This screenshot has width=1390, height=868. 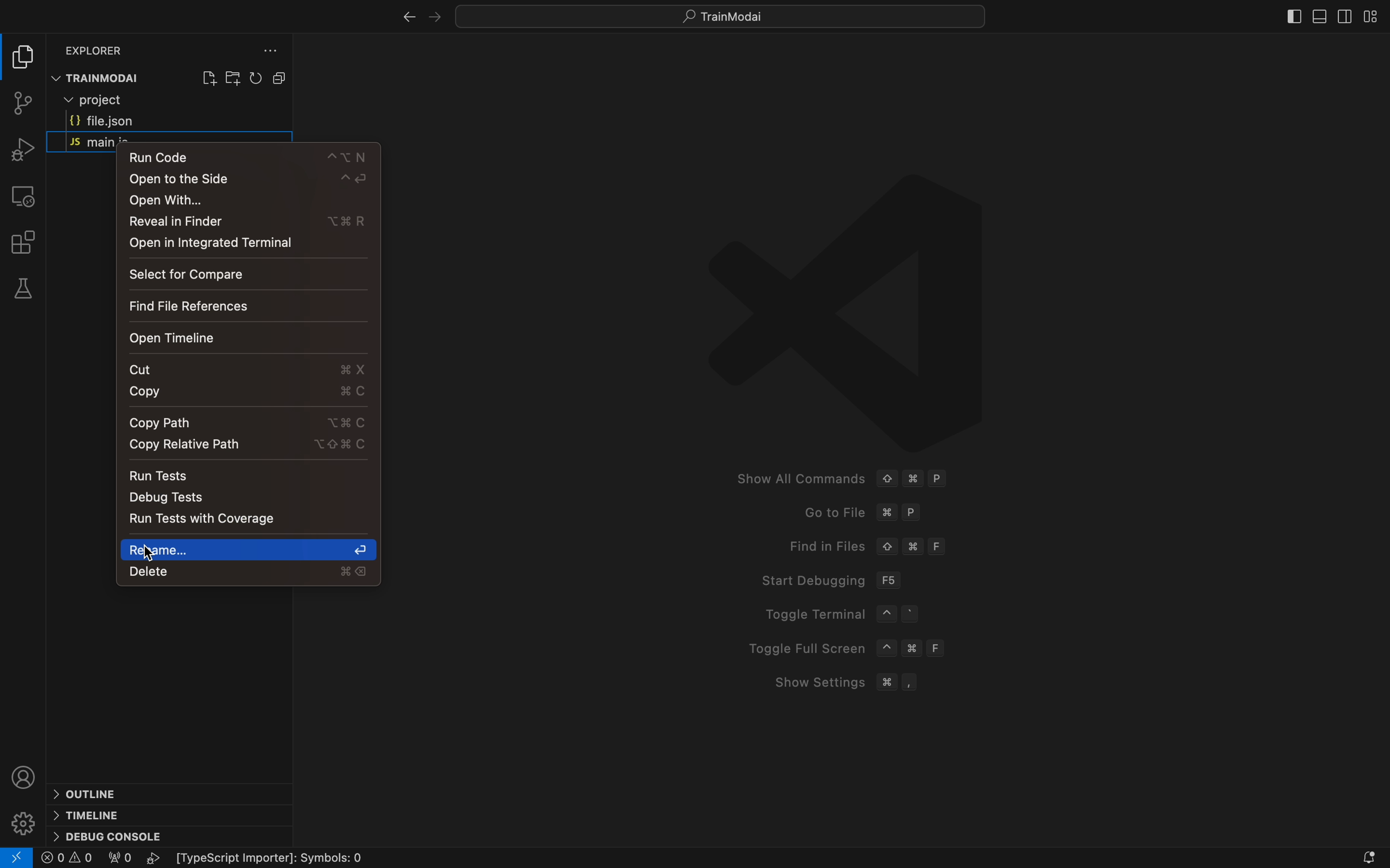 What do you see at coordinates (252, 159) in the screenshot?
I see `run code` at bounding box center [252, 159].